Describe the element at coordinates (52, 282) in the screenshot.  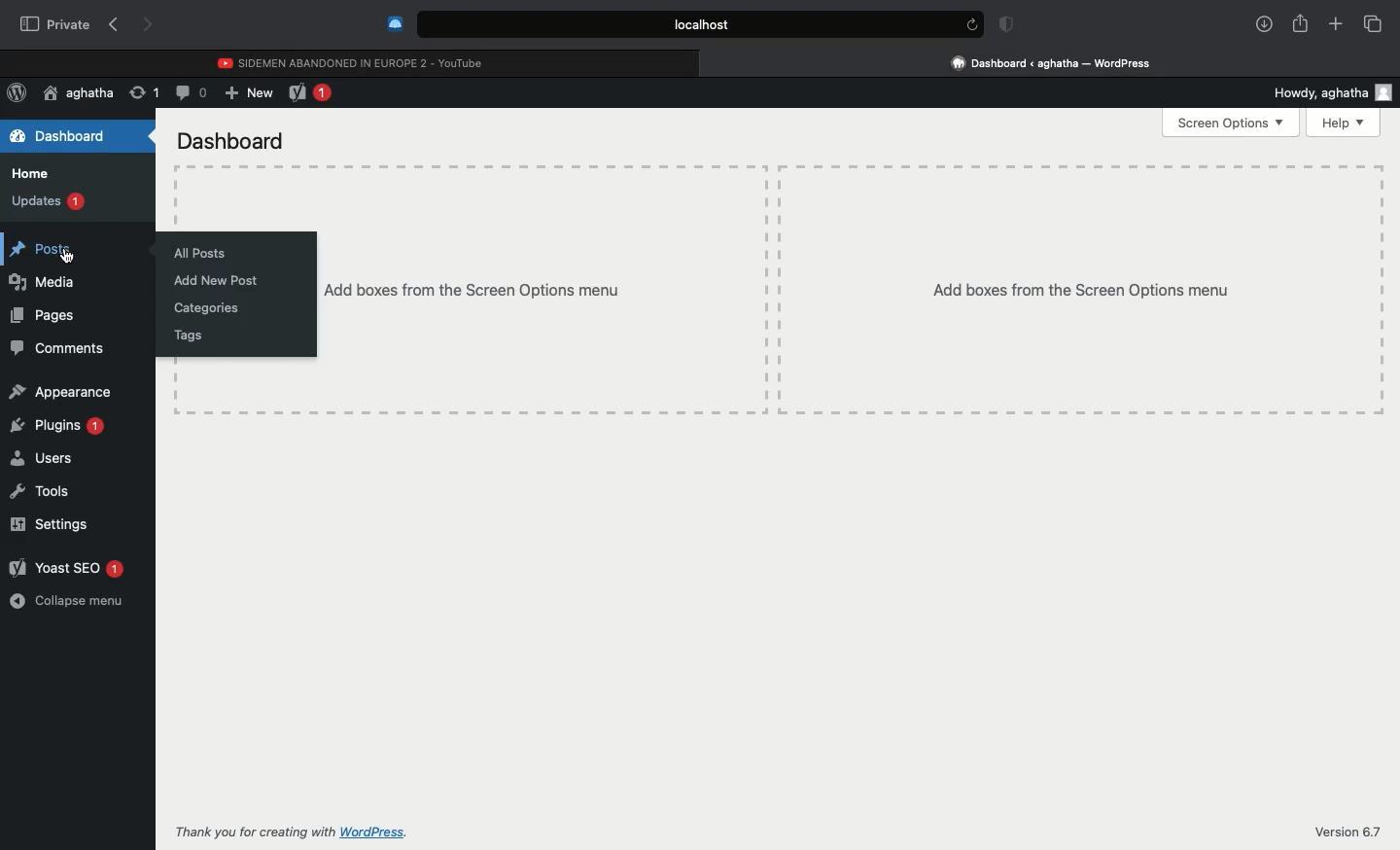
I see `Media` at that location.